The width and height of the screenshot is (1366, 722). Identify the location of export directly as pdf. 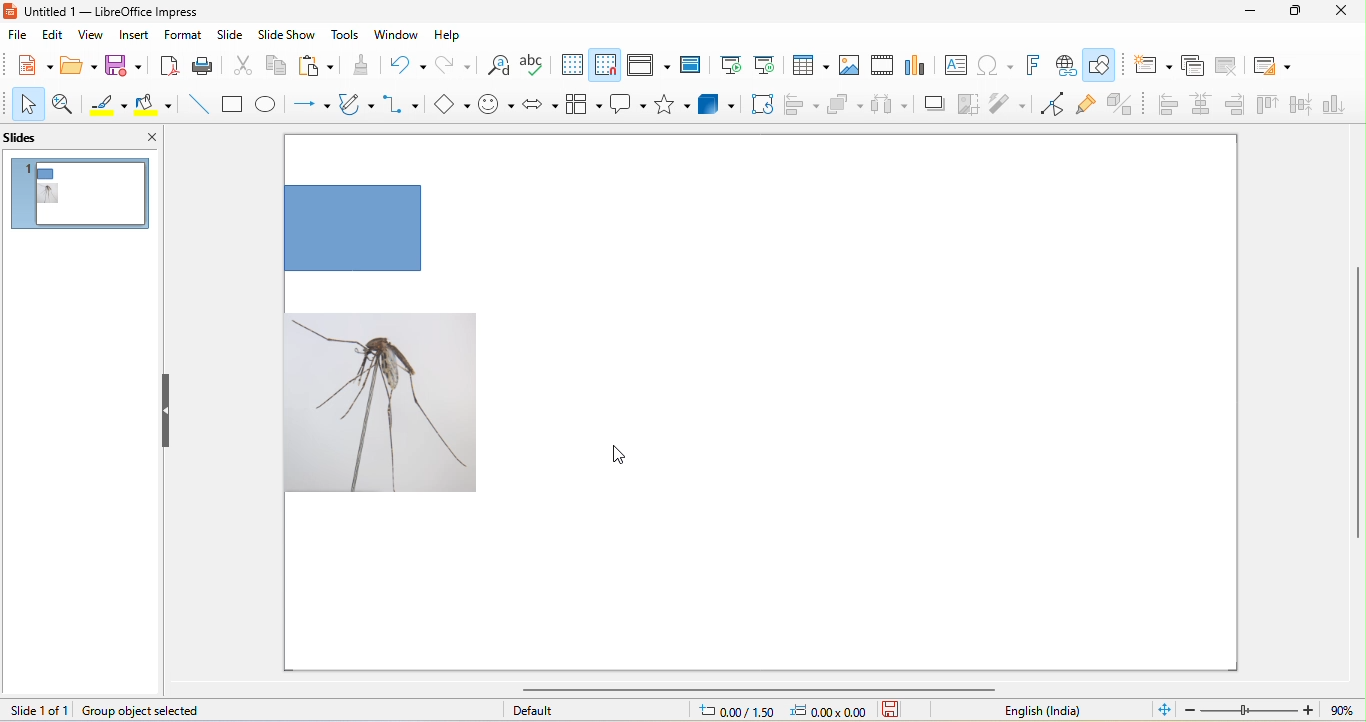
(169, 67).